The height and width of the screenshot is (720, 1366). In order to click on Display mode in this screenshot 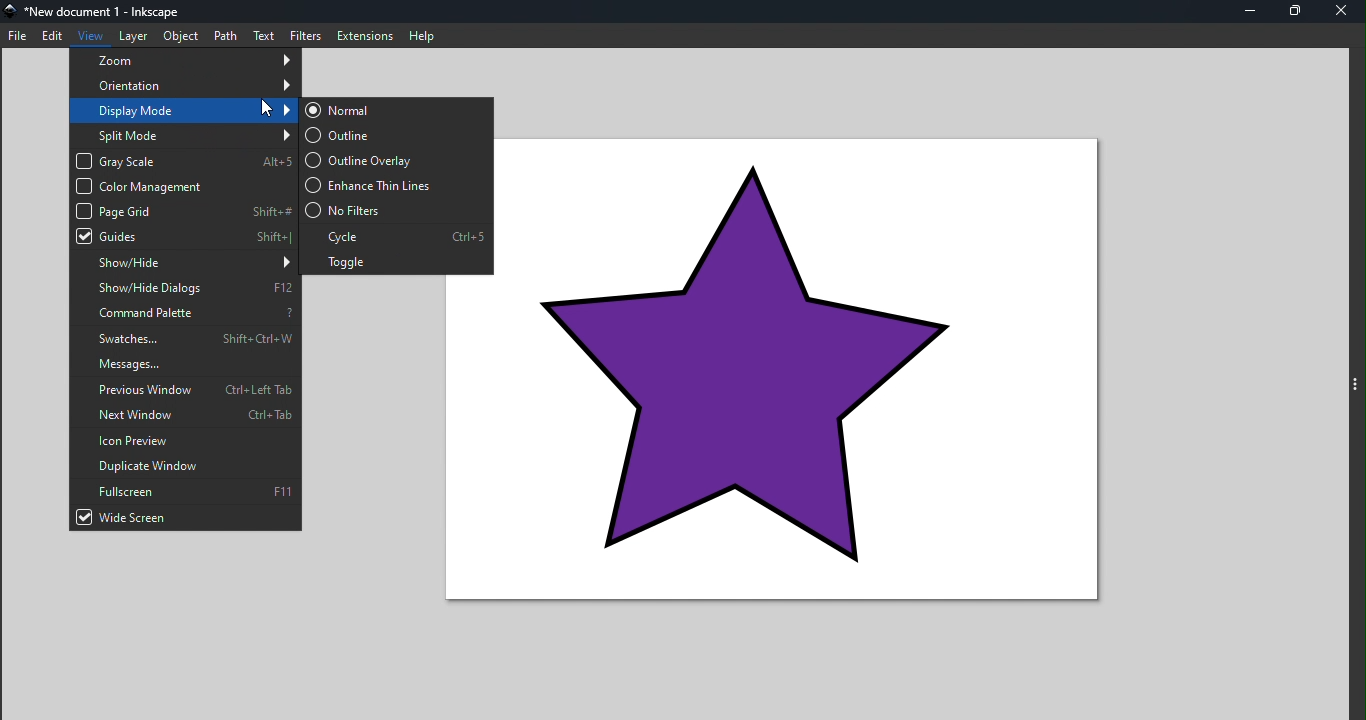, I will do `click(182, 110)`.